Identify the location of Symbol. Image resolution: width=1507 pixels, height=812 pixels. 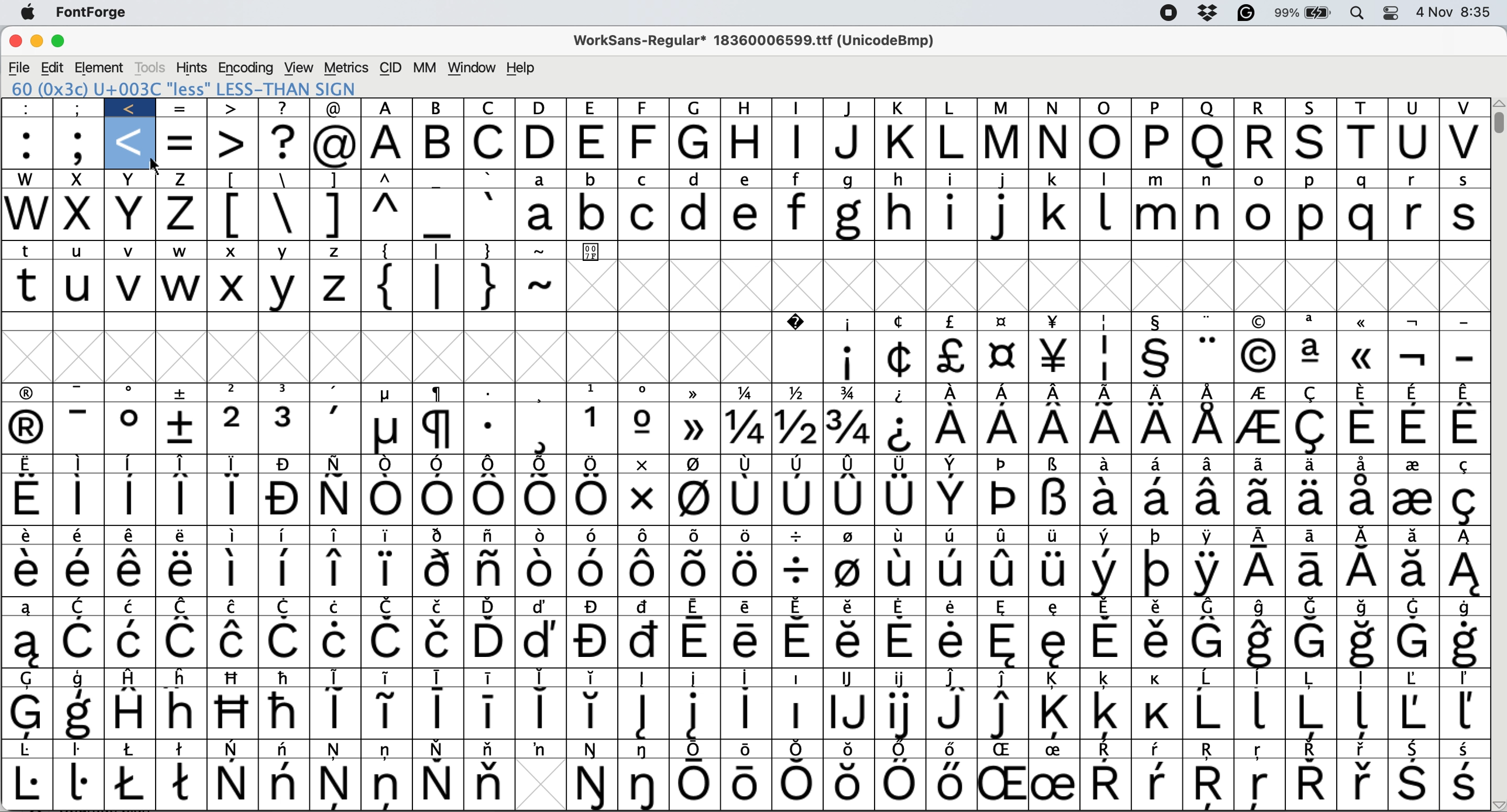
(646, 466).